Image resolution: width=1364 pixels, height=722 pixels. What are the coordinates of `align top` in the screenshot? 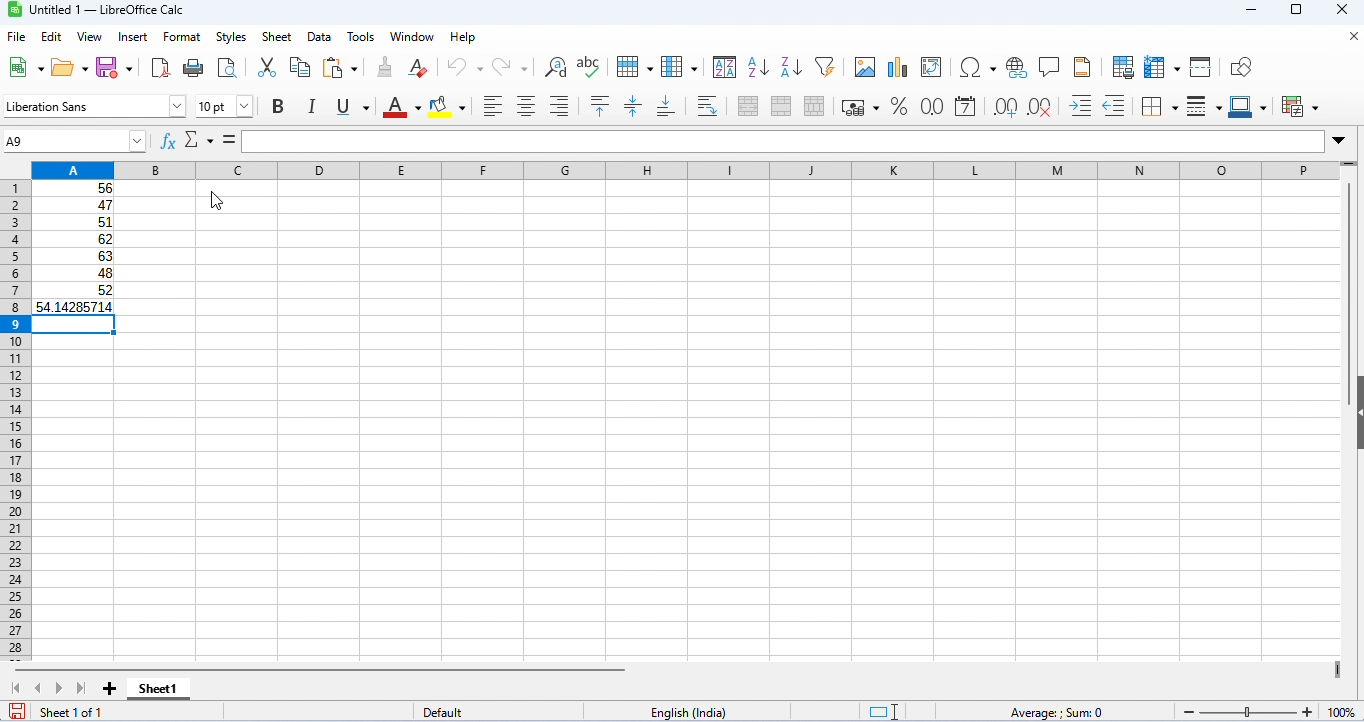 It's located at (602, 106).